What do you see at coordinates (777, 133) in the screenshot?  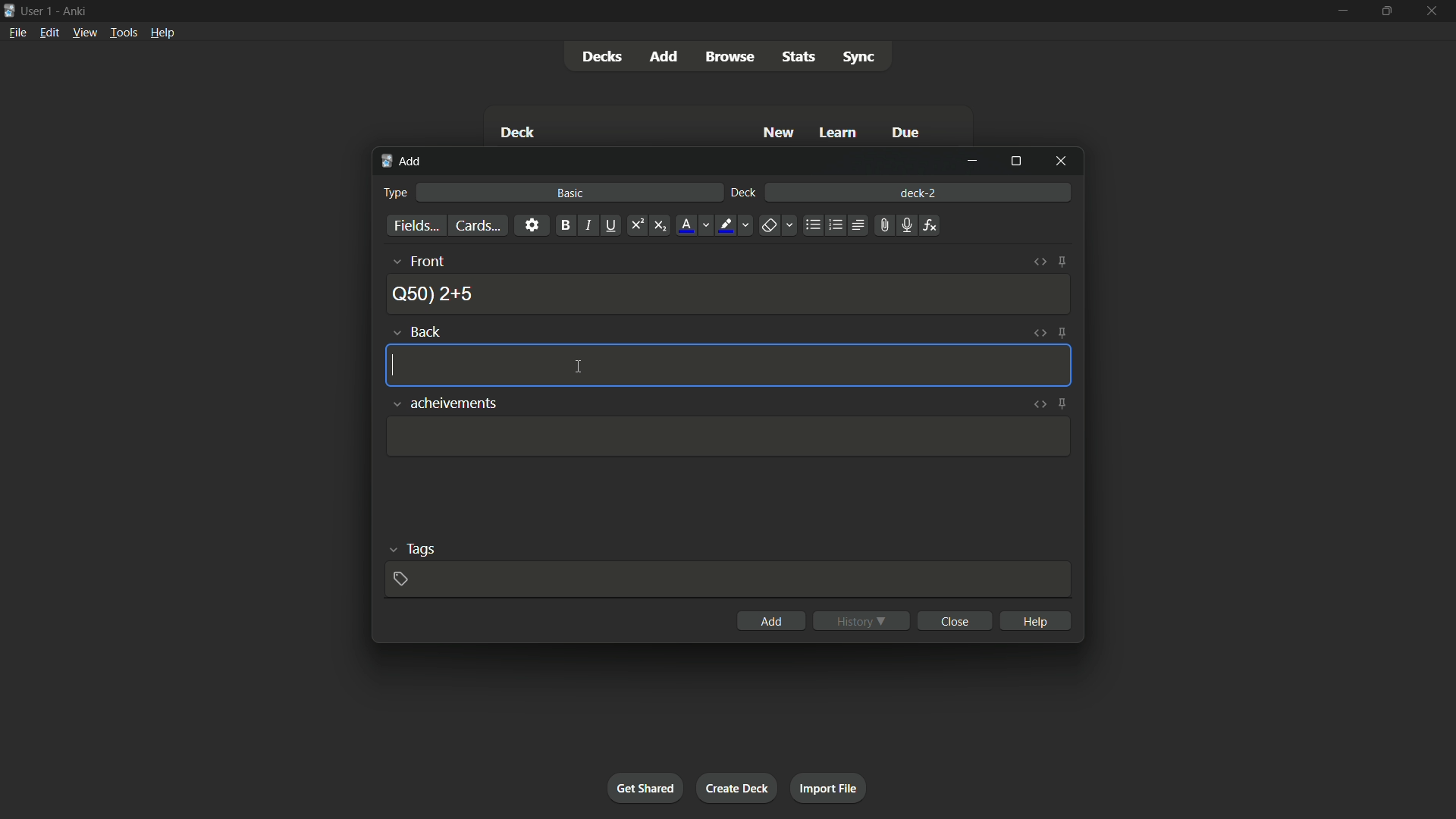 I see `New` at bounding box center [777, 133].